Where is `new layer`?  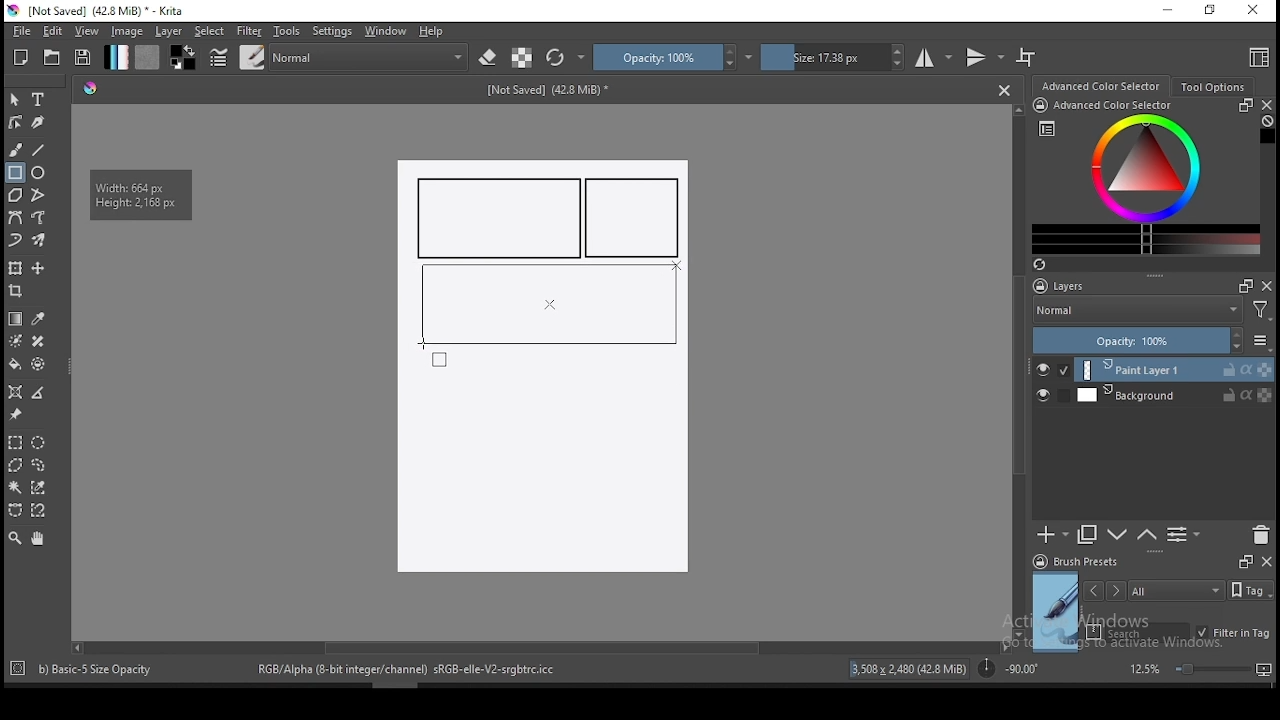 new layer is located at coordinates (1053, 534).